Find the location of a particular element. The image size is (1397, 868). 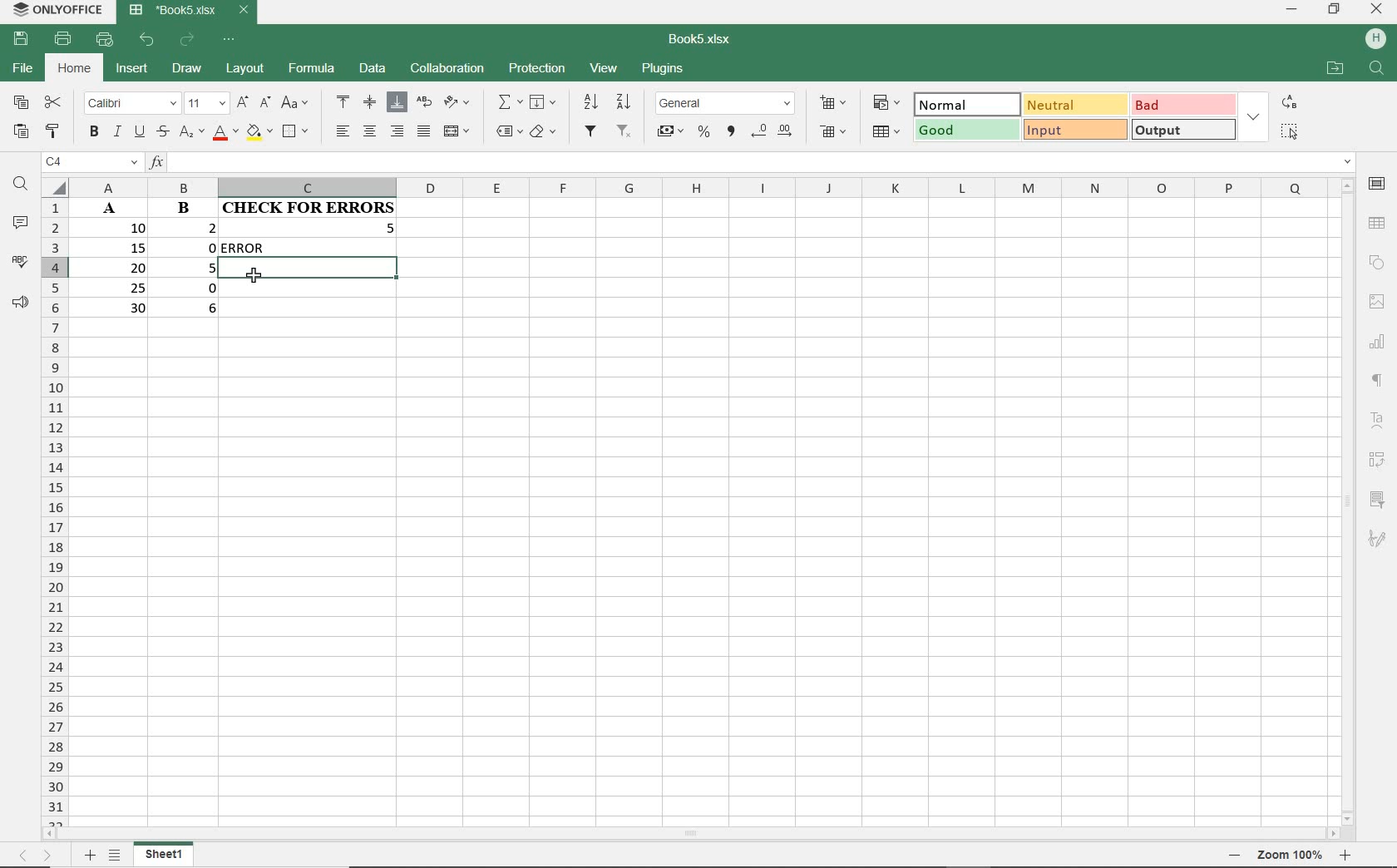

PROTECTION is located at coordinates (536, 69).